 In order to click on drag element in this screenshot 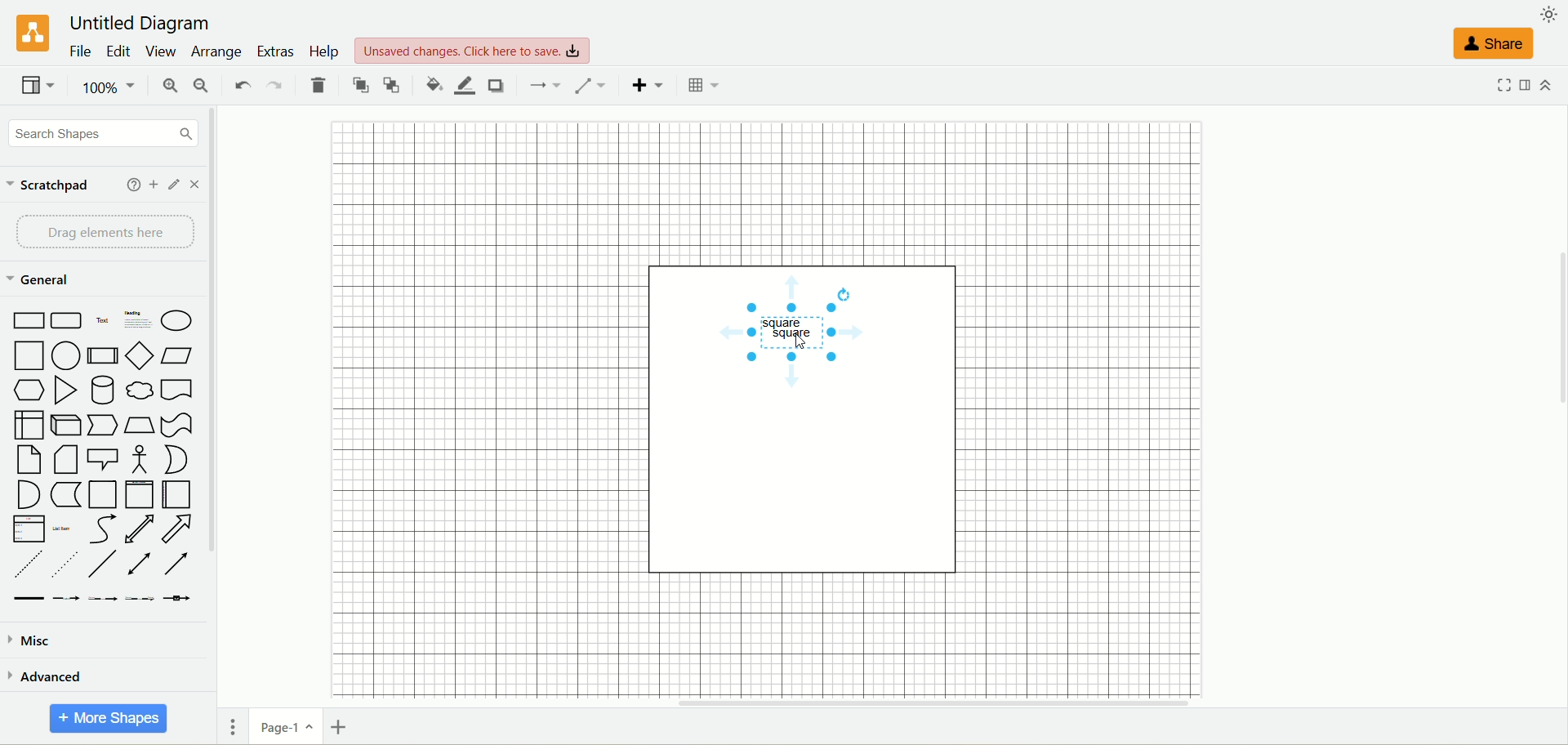, I will do `click(105, 233)`.